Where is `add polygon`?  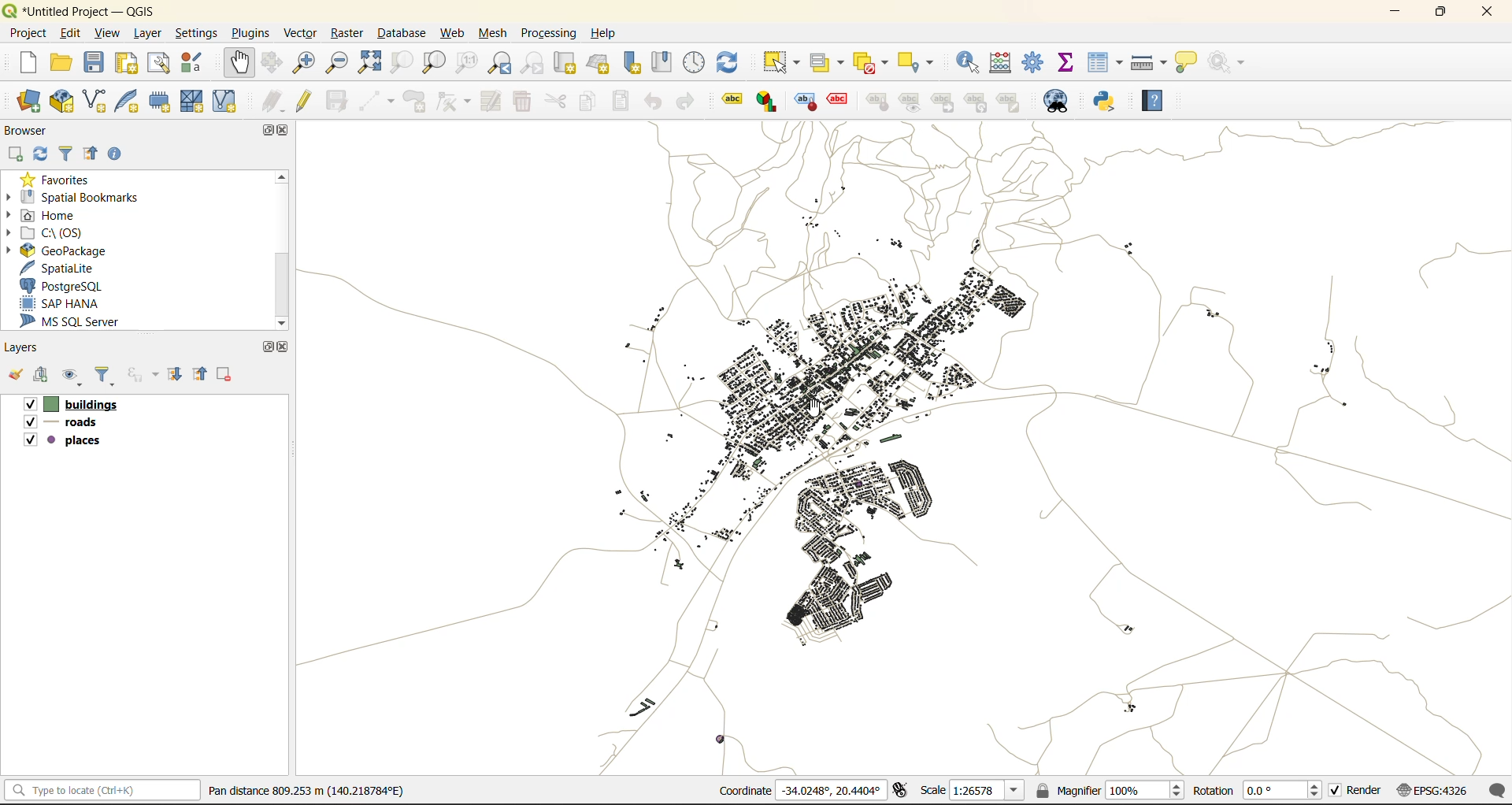
add polygon is located at coordinates (414, 102).